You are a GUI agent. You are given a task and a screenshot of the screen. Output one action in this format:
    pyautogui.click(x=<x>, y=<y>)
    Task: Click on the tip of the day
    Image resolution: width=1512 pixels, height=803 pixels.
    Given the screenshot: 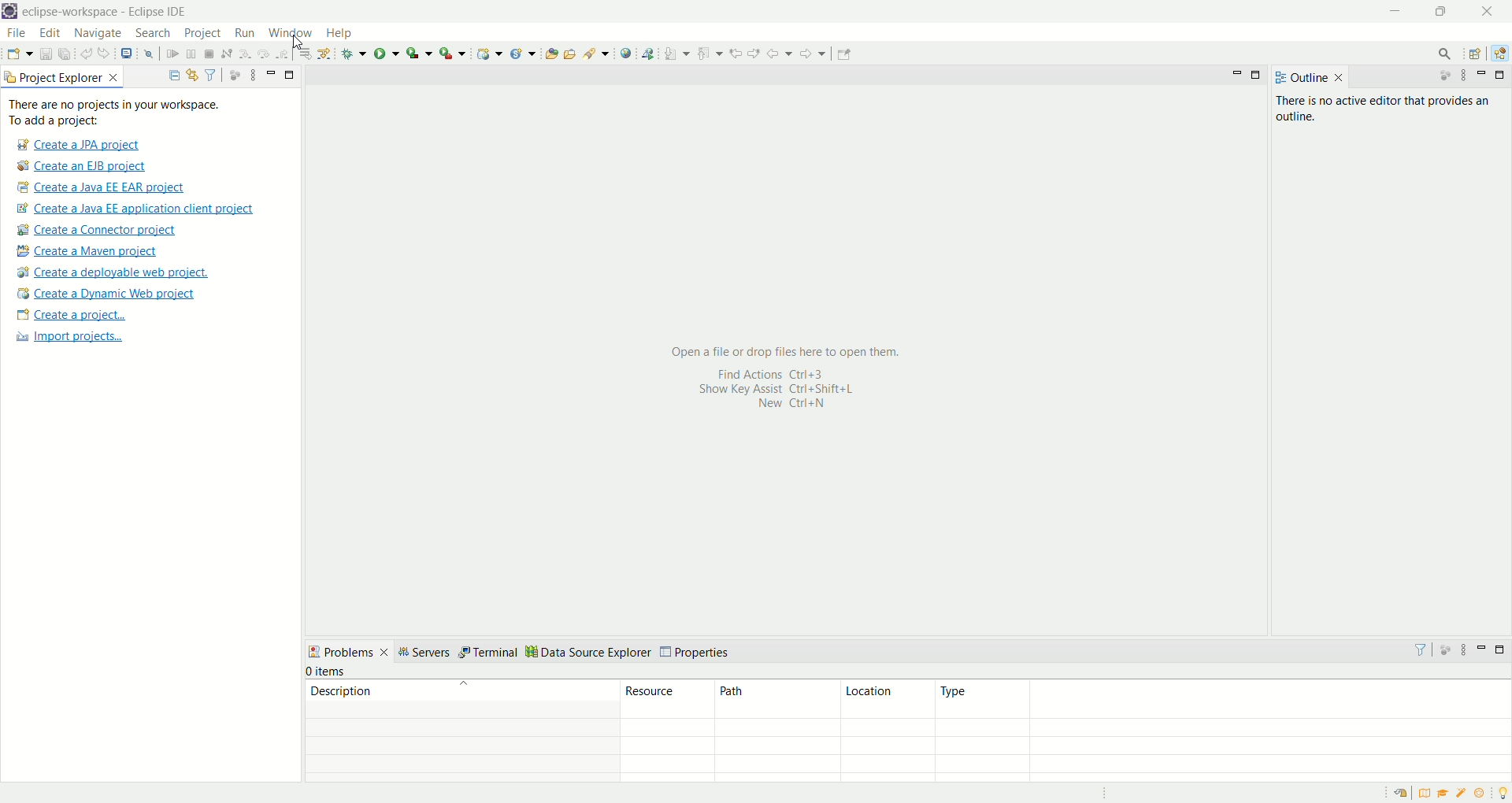 What is the action you would take?
    pyautogui.click(x=1503, y=791)
    